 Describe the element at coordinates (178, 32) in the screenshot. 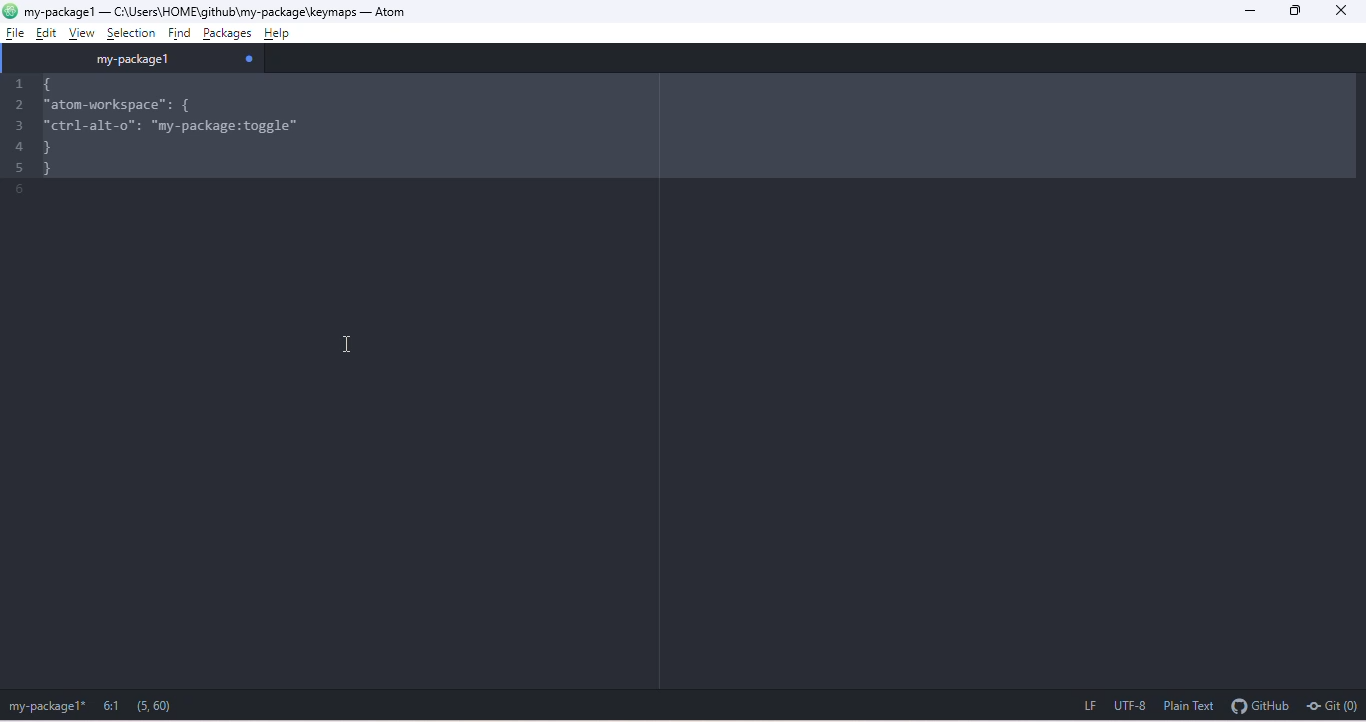

I see `find` at that location.